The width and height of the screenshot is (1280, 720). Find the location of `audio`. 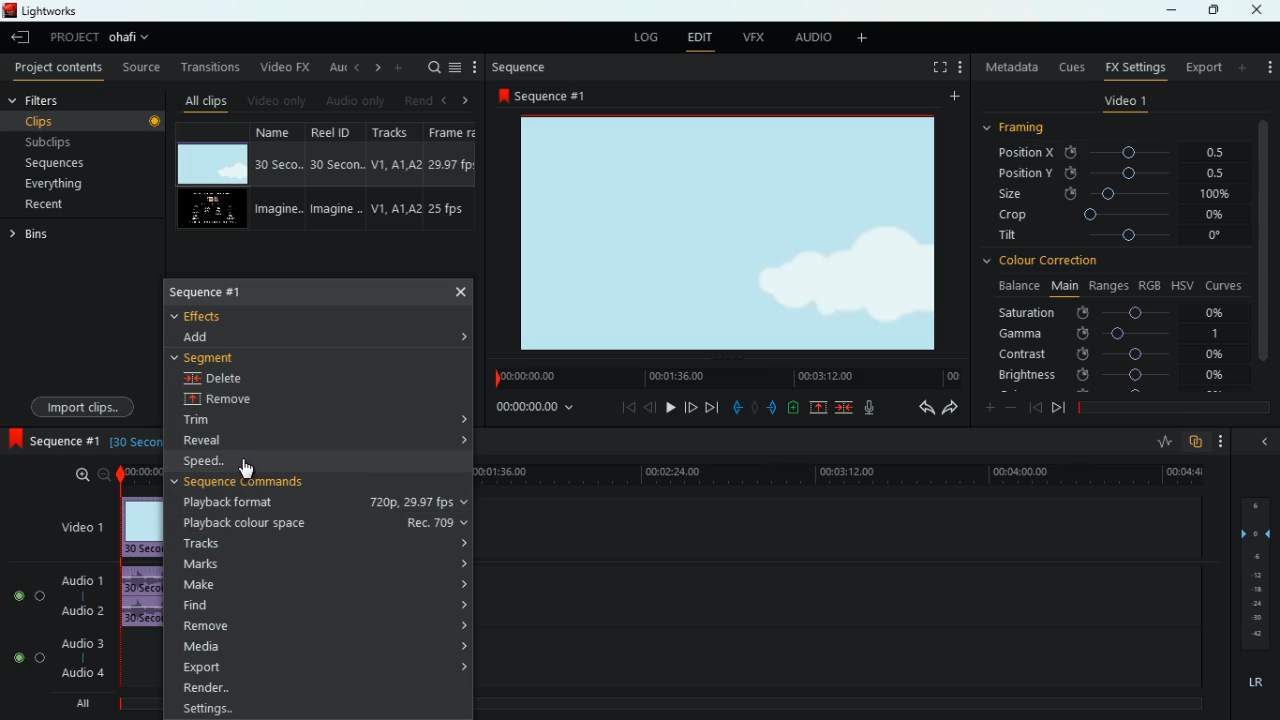

audio is located at coordinates (352, 100).